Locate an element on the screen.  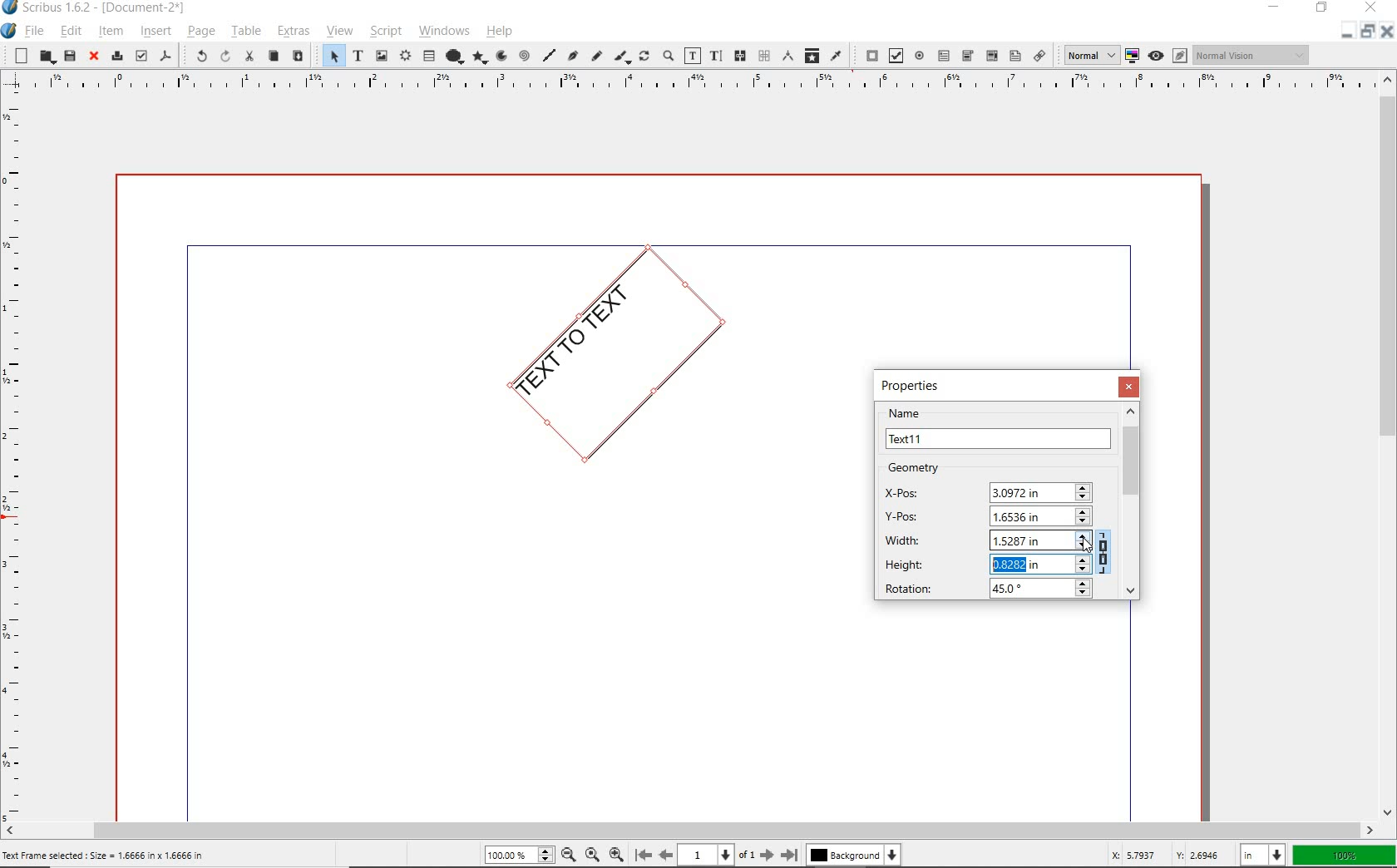
ruler is located at coordinates (694, 86).